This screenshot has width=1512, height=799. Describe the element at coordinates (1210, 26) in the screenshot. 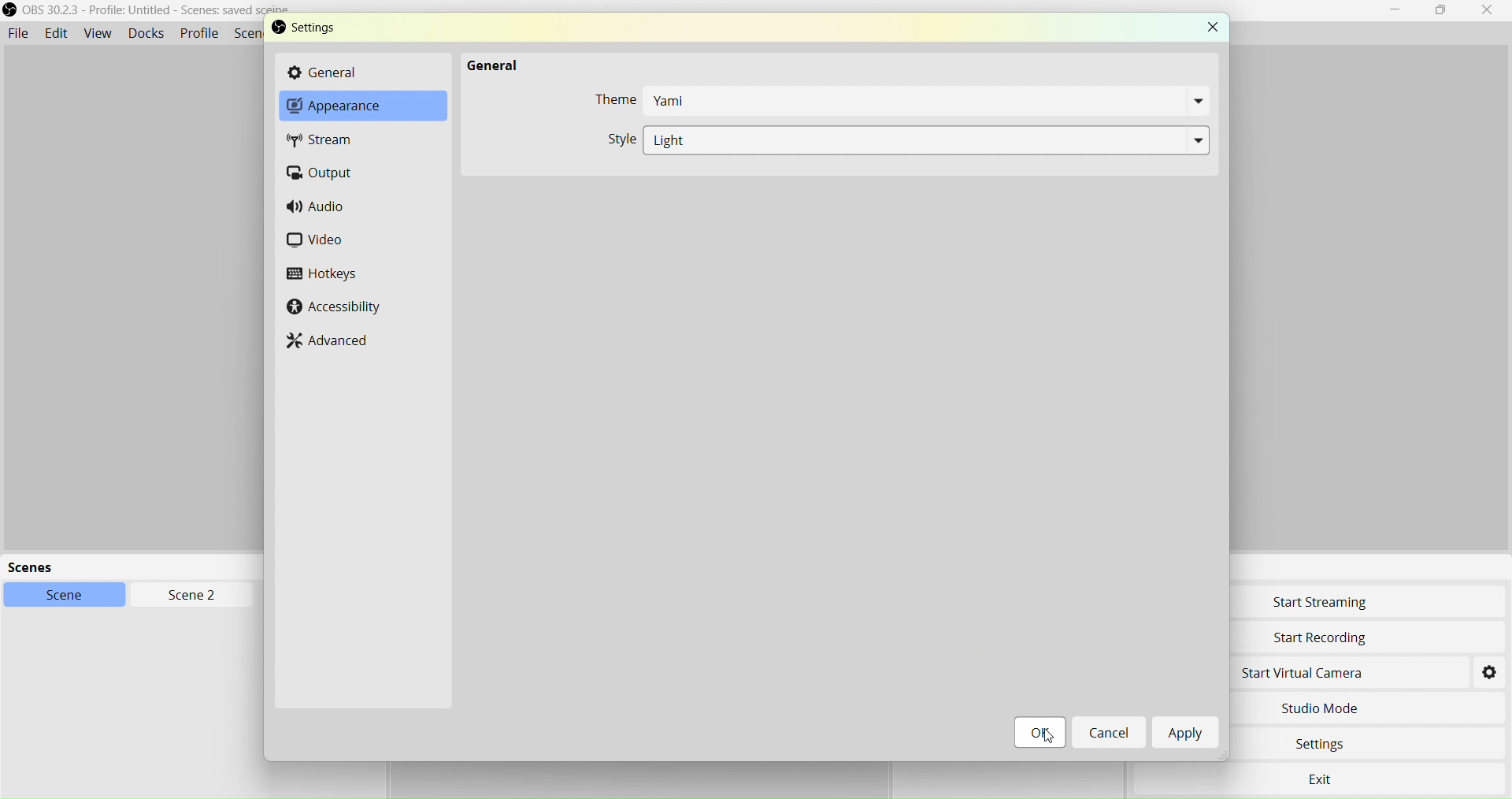

I see `Close` at that location.